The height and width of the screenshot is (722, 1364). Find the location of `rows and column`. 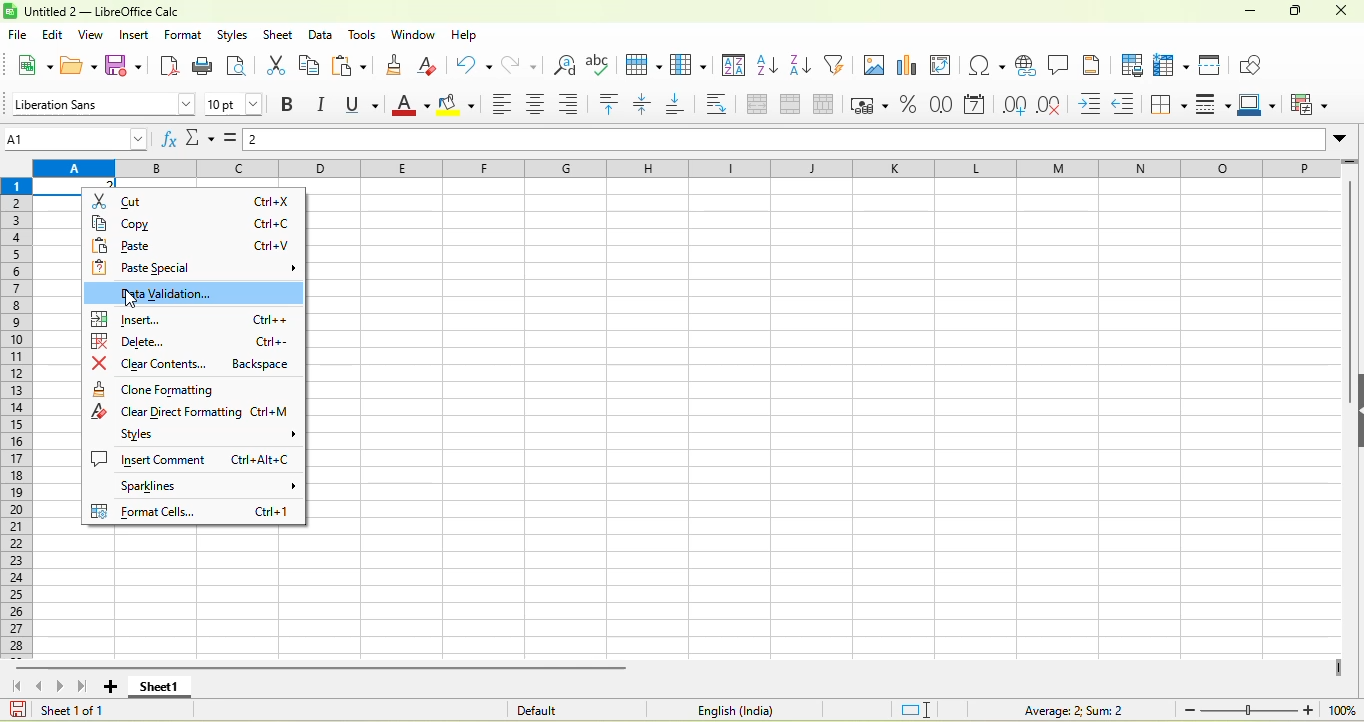

rows and column is located at coordinates (1174, 65).